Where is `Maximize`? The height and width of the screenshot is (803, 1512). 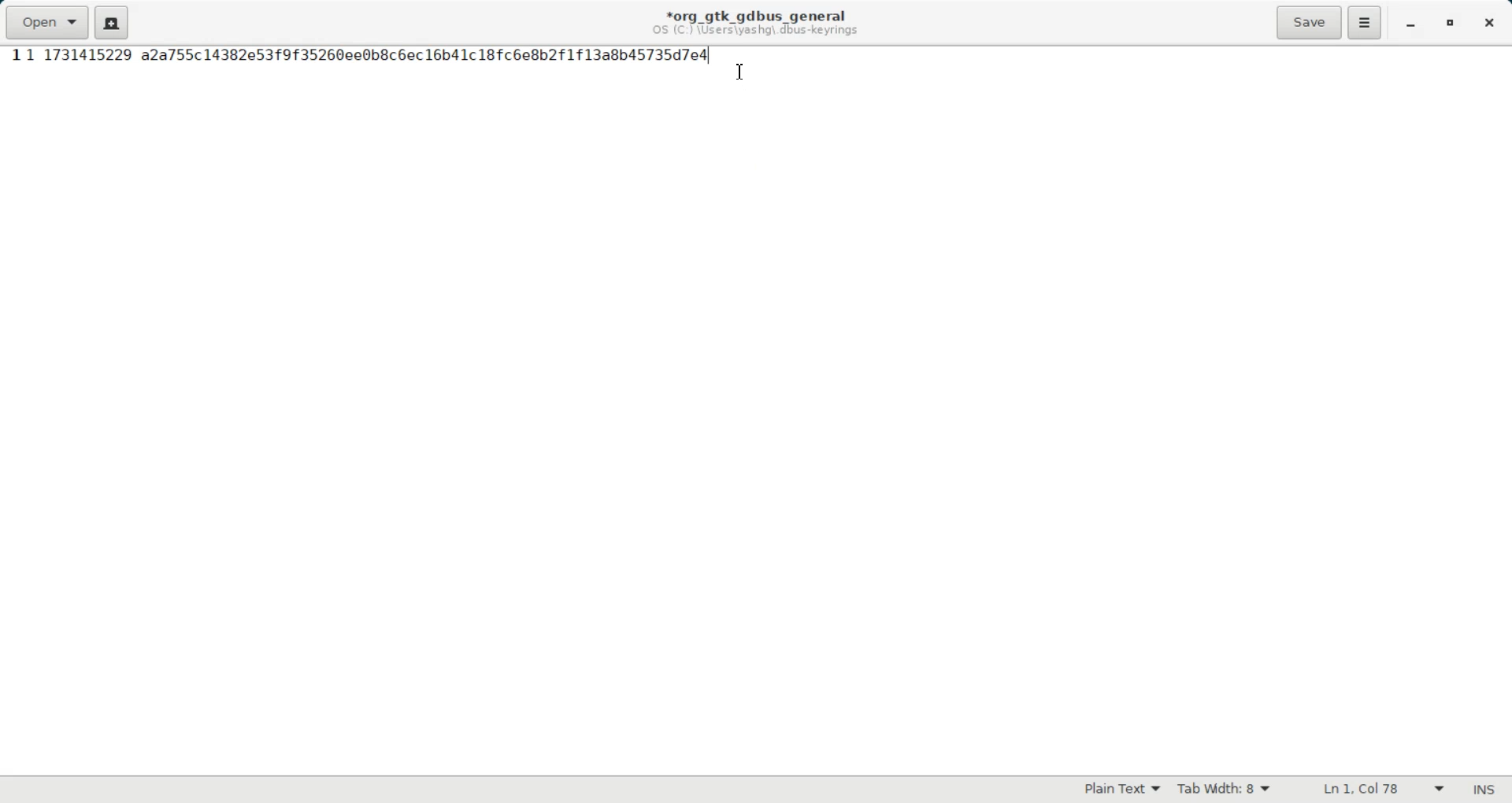
Maximize is located at coordinates (1452, 24).